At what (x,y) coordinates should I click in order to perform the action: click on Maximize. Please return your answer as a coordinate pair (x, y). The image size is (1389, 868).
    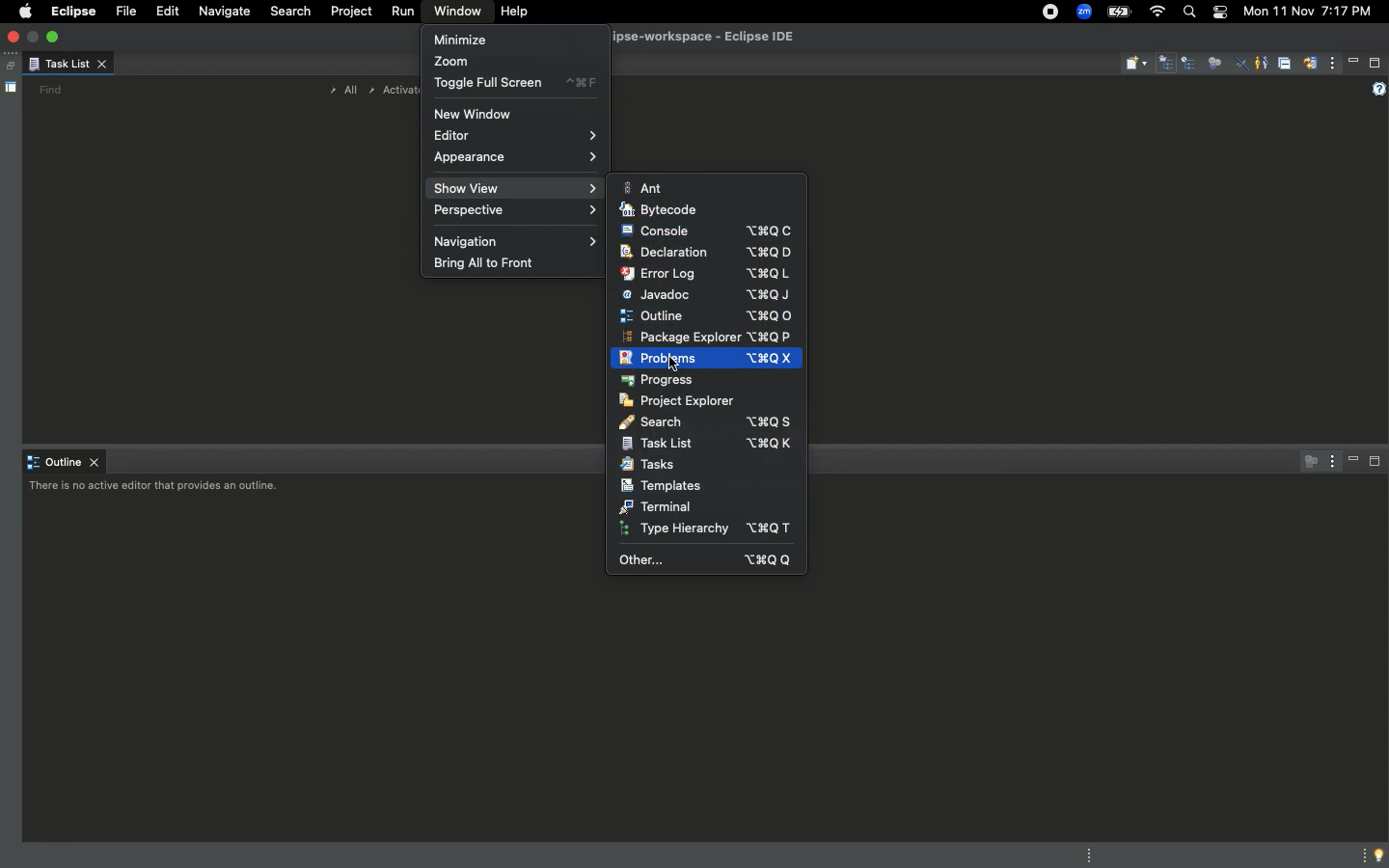
    Looking at the image, I should click on (1375, 63).